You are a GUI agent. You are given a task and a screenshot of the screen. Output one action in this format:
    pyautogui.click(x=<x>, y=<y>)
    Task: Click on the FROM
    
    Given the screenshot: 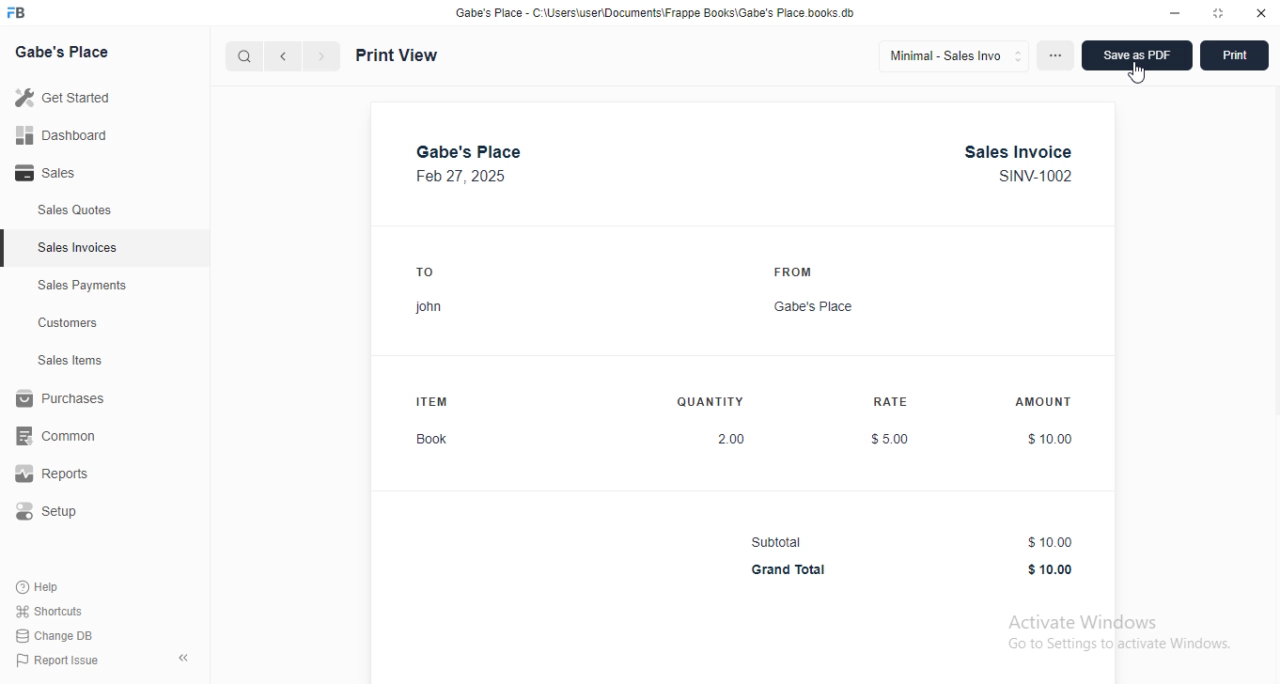 What is the action you would take?
    pyautogui.click(x=795, y=272)
    